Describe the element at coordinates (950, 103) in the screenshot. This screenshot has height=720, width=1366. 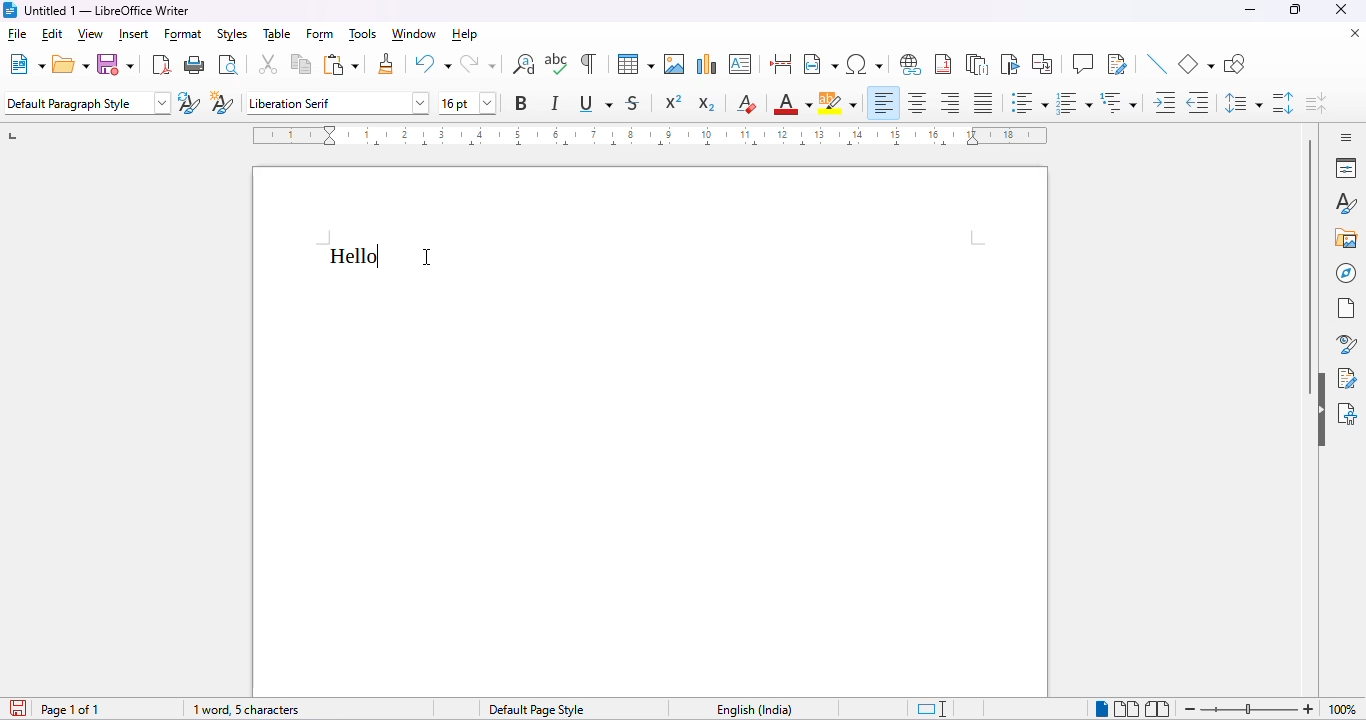
I see `align right` at that location.